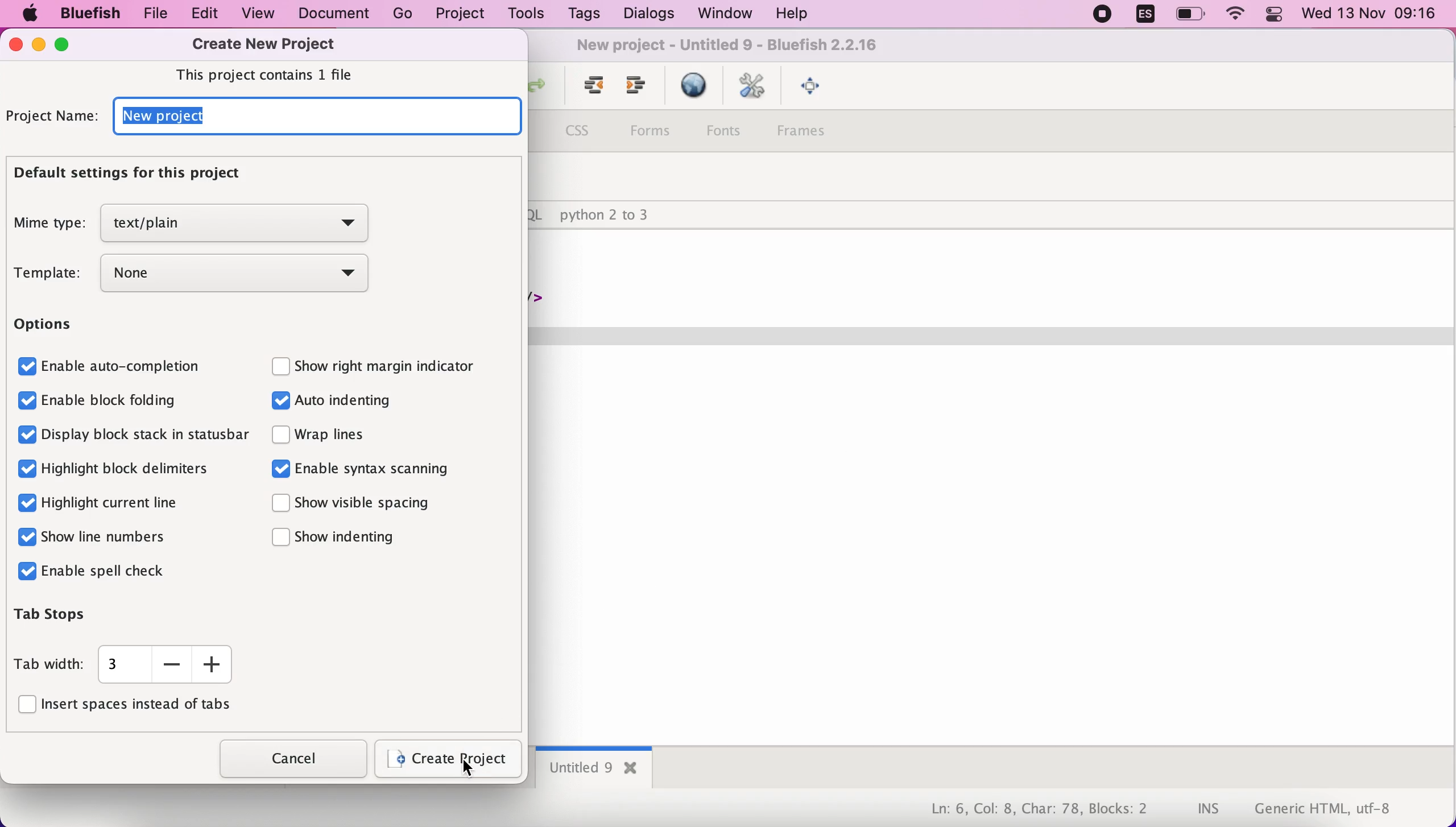 This screenshot has width=1456, height=827. What do you see at coordinates (47, 274) in the screenshot?
I see `template` at bounding box center [47, 274].